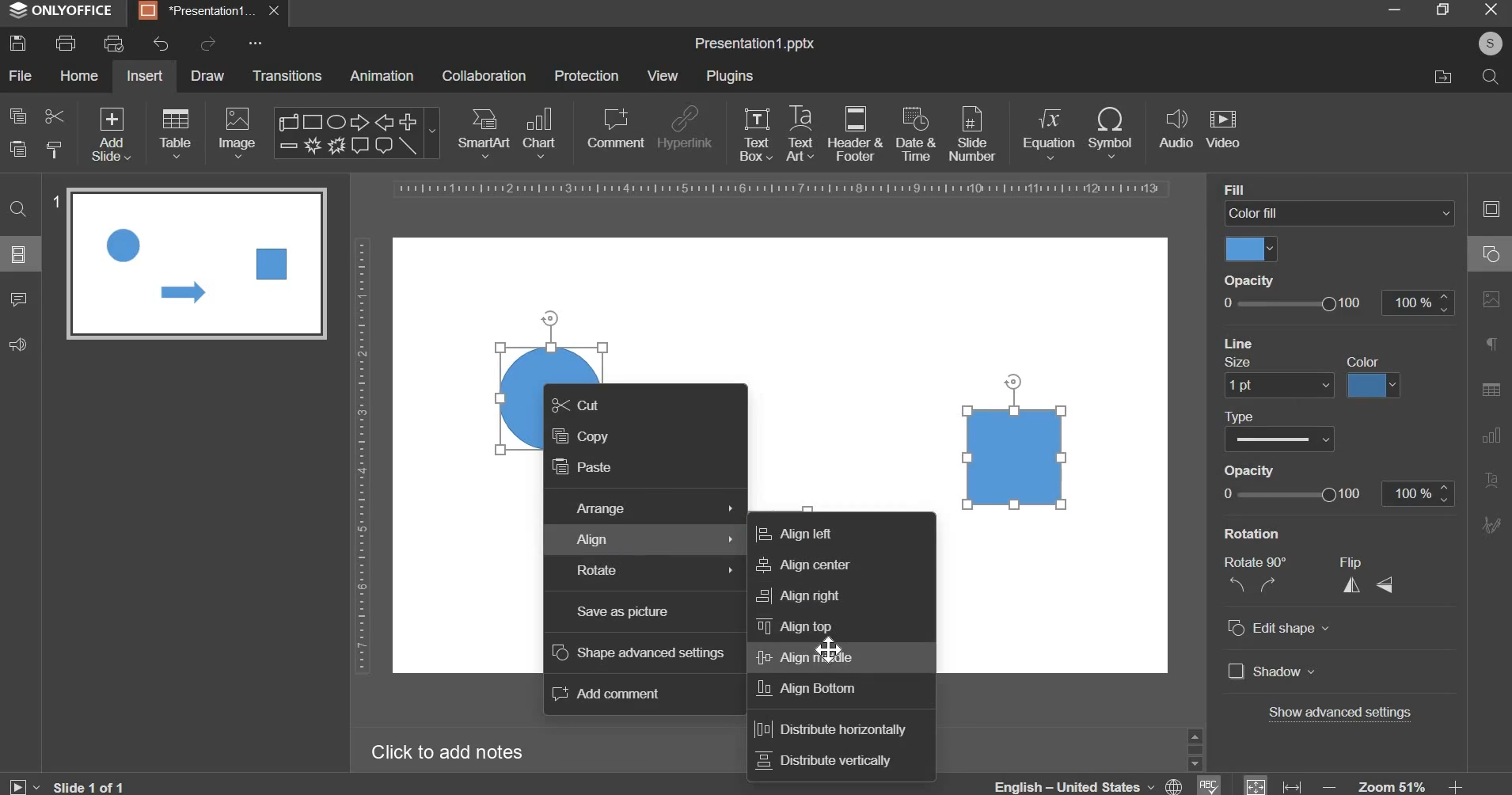  I want to click on language, so click(1207, 784).